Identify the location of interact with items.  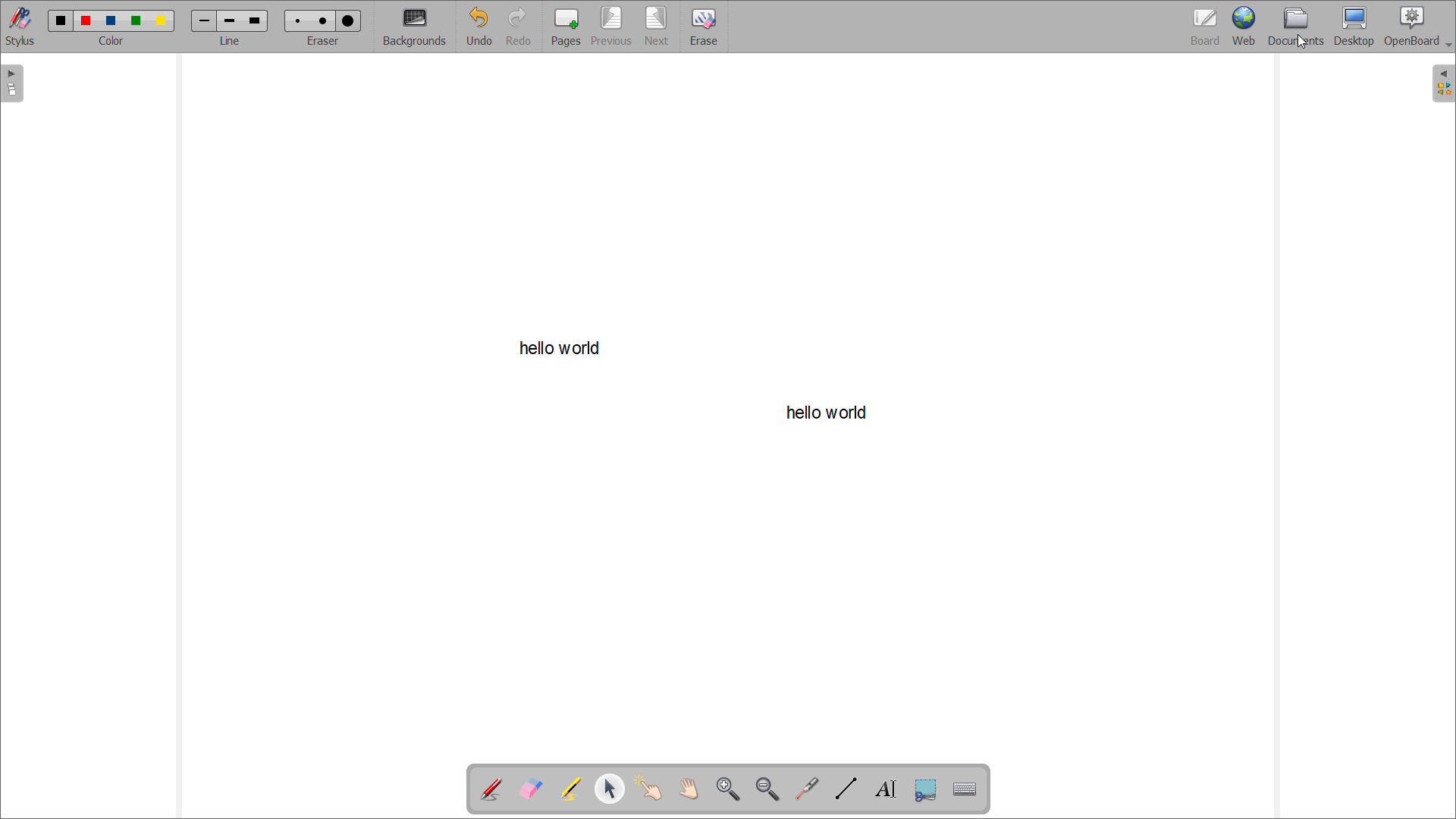
(648, 788).